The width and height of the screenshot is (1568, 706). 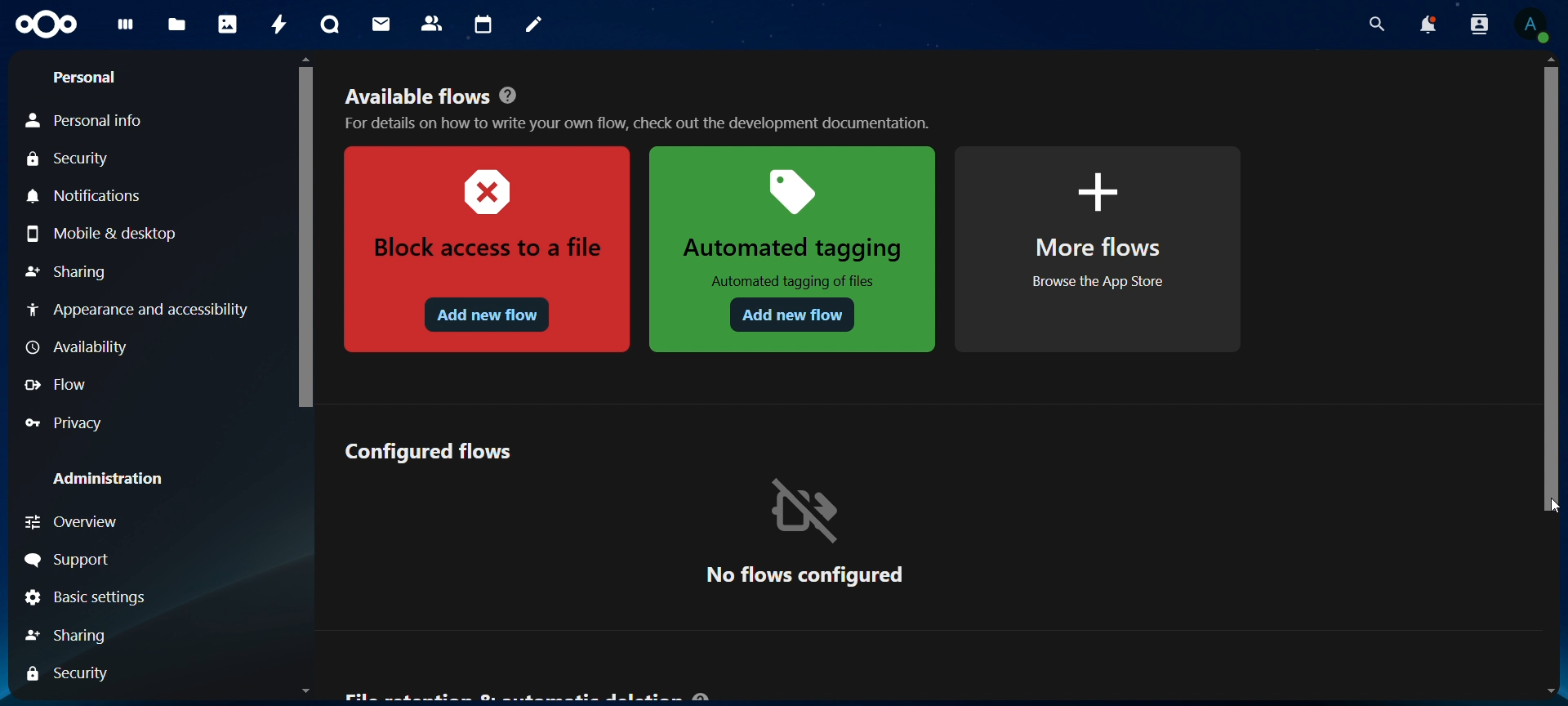 I want to click on no flows configured, so click(x=804, y=530).